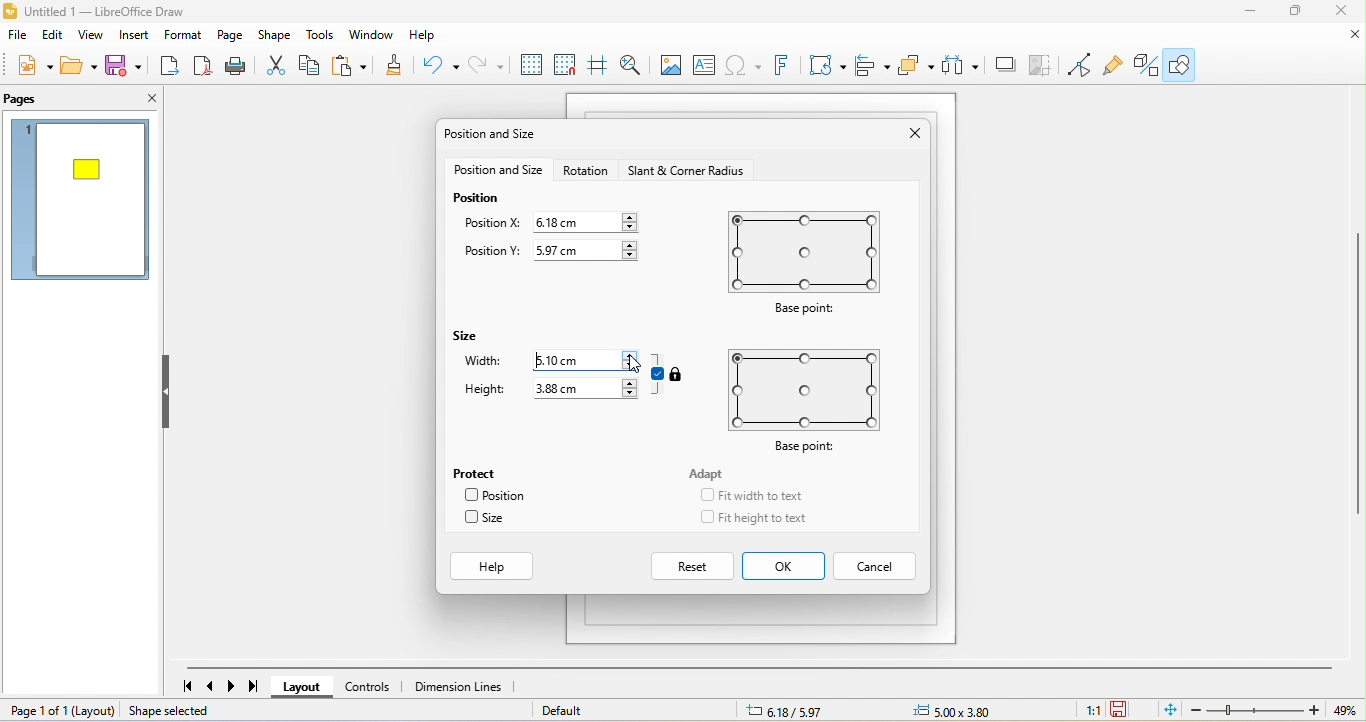  Describe the element at coordinates (168, 394) in the screenshot. I see `hide` at that location.